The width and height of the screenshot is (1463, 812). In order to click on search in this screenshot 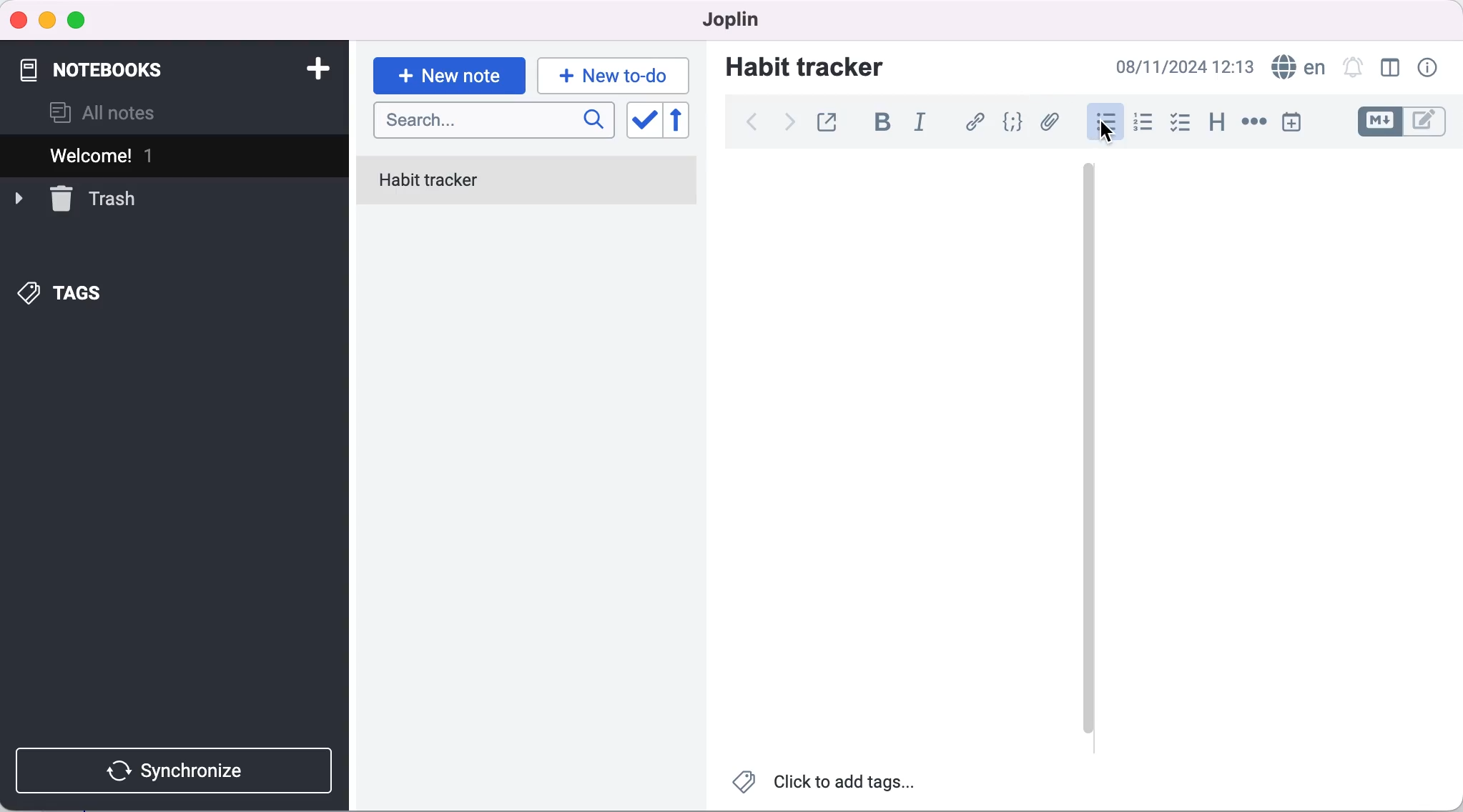, I will do `click(494, 122)`.